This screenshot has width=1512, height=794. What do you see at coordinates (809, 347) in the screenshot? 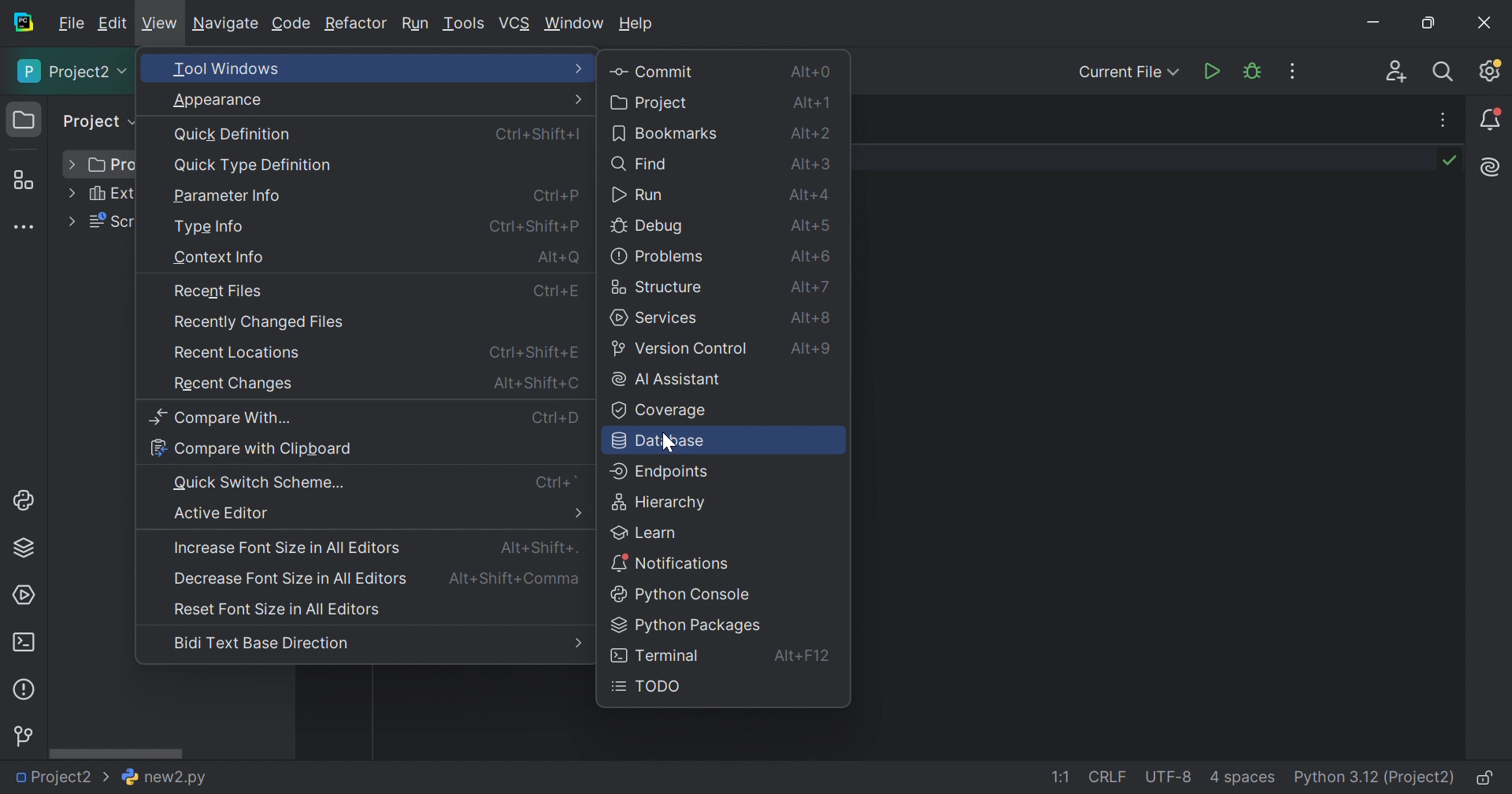
I see `Alt+9` at bounding box center [809, 347].